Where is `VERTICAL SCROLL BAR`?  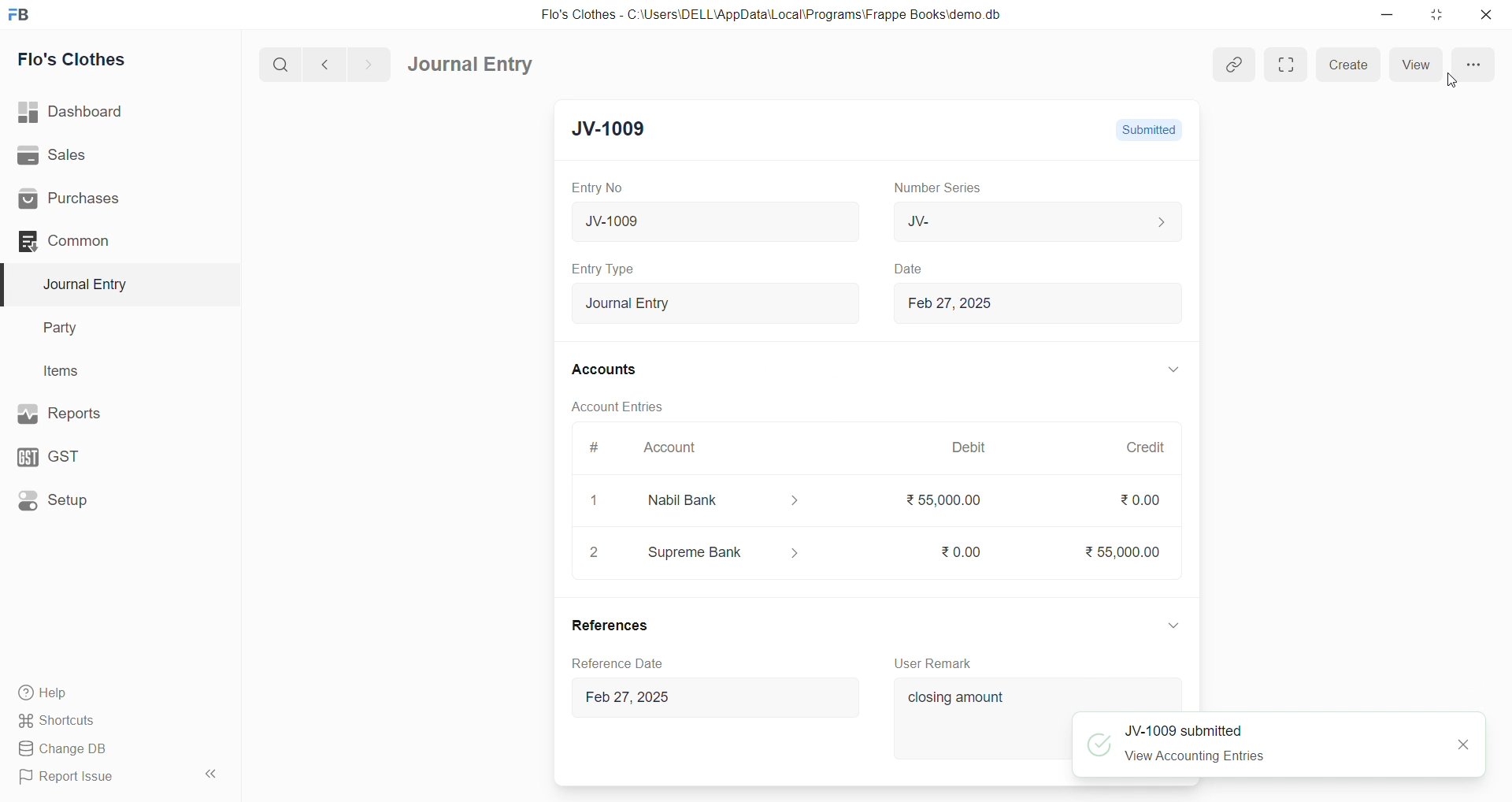
VERTICAL SCROLL BAR is located at coordinates (1195, 436).